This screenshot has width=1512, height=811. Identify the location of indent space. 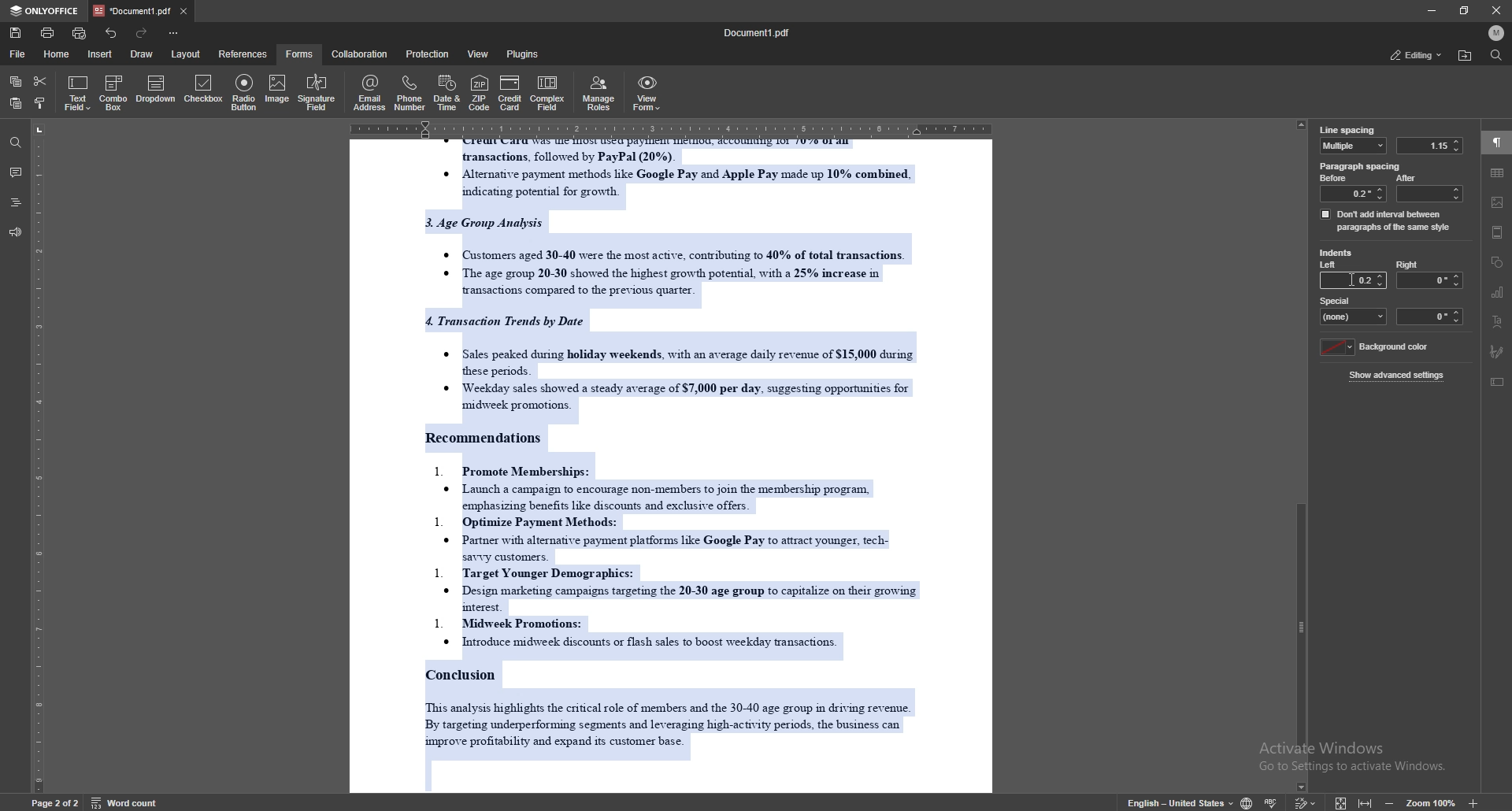
(1431, 317).